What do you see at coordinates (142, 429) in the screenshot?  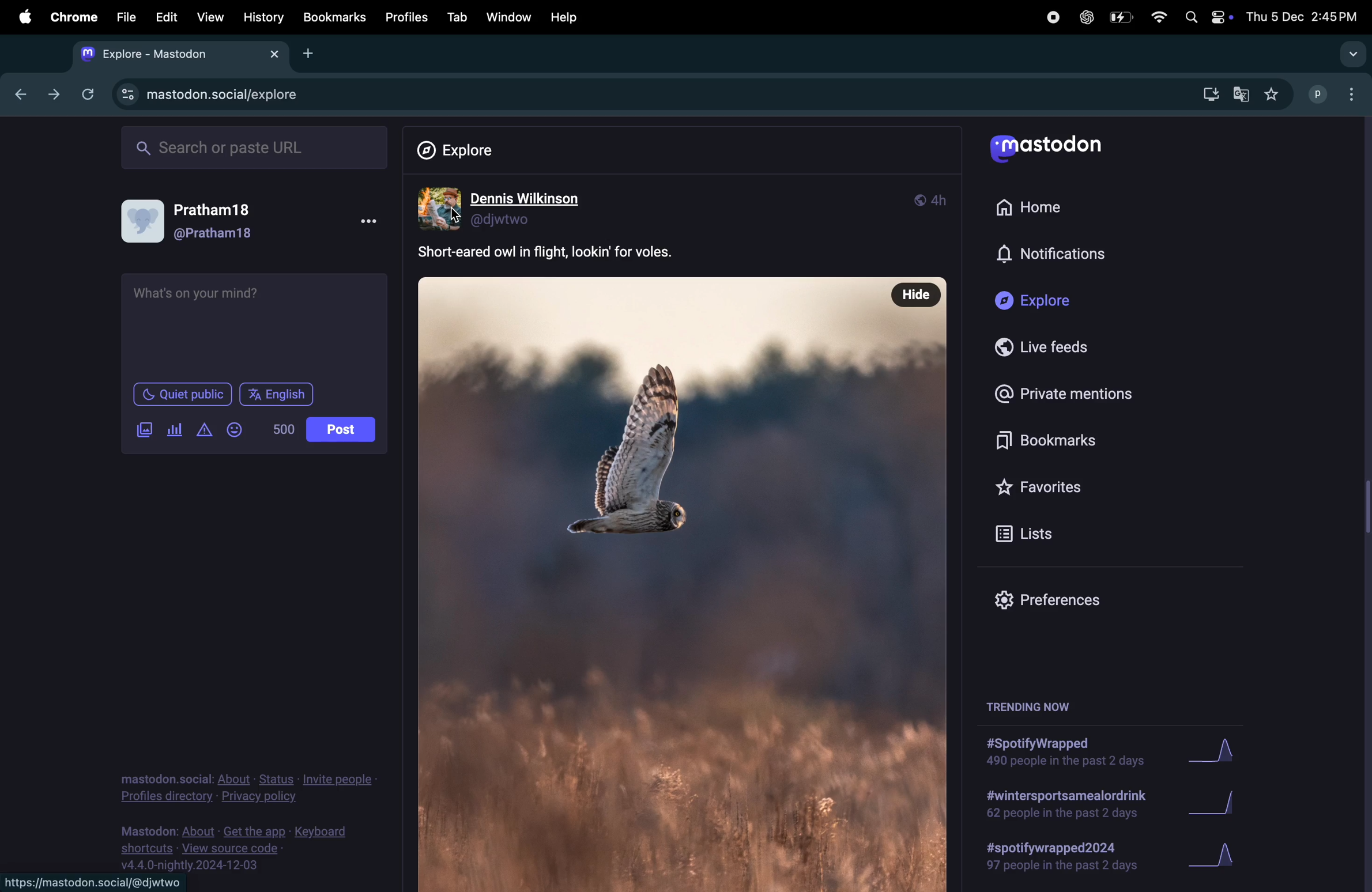 I see `add images` at bounding box center [142, 429].